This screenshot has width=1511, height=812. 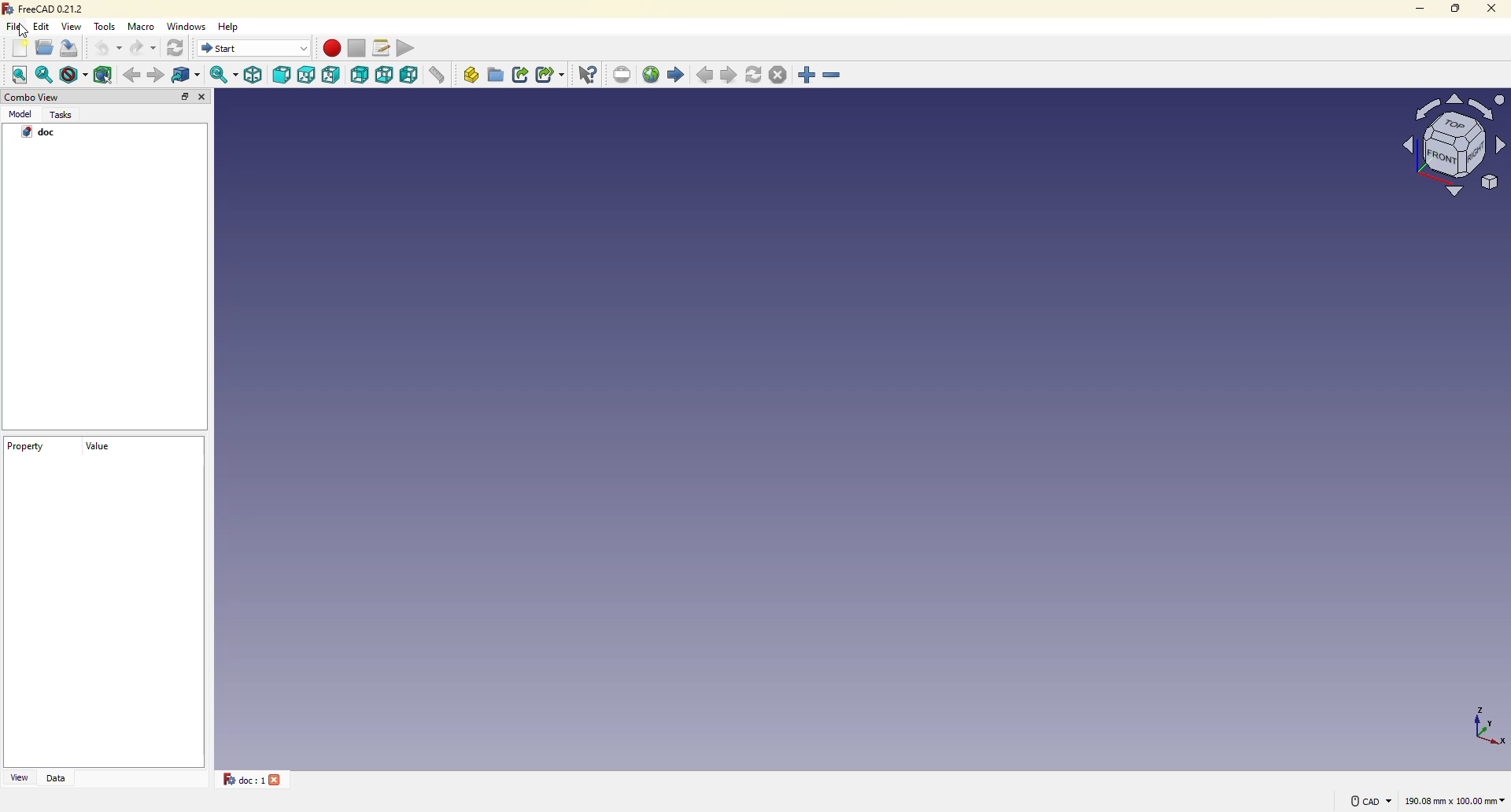 What do you see at coordinates (26, 448) in the screenshot?
I see `property` at bounding box center [26, 448].